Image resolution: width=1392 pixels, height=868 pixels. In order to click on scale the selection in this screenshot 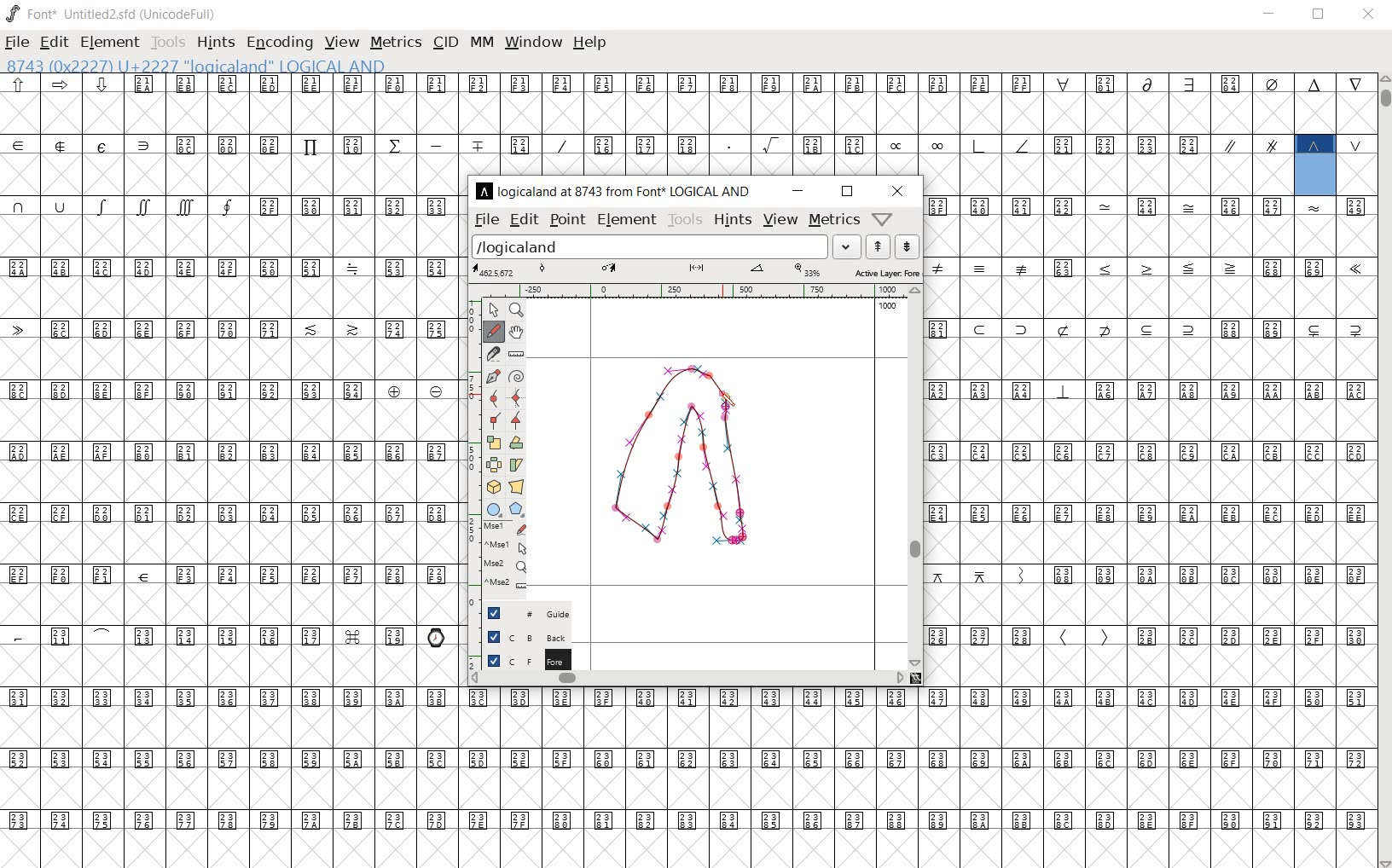, I will do `click(495, 443)`.